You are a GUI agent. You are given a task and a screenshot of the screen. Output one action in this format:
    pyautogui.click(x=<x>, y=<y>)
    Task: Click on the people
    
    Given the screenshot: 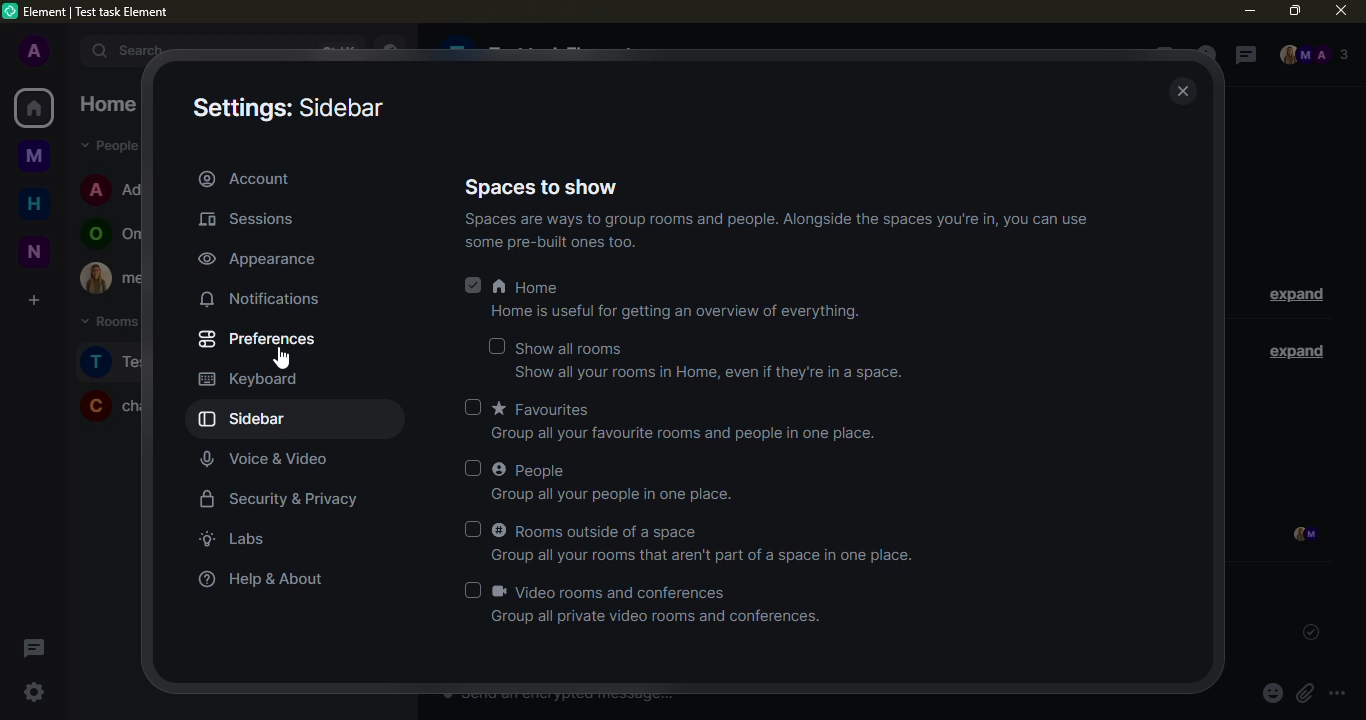 What is the action you would take?
    pyautogui.click(x=534, y=472)
    